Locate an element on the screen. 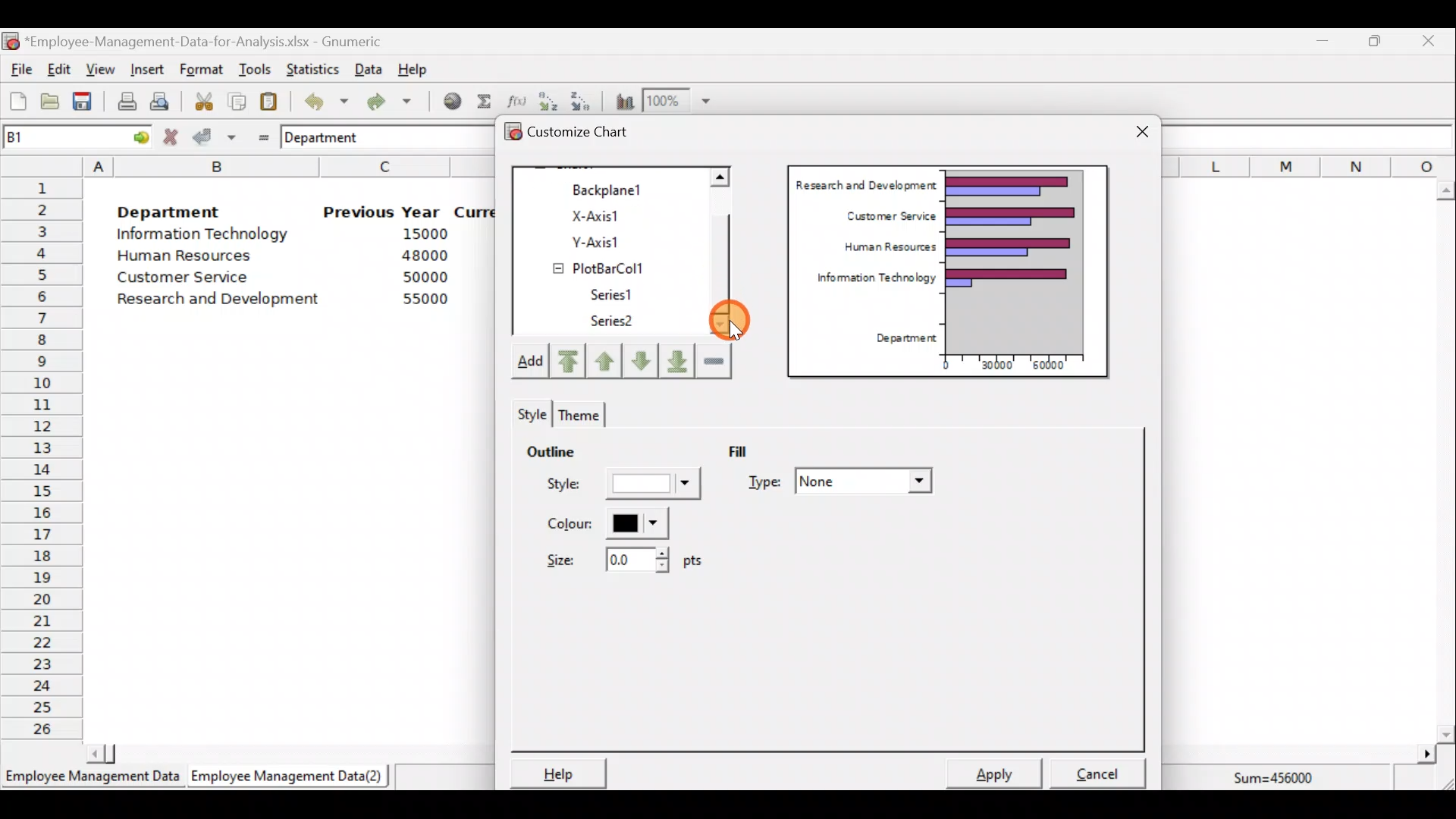  Customer Service is located at coordinates (887, 214).